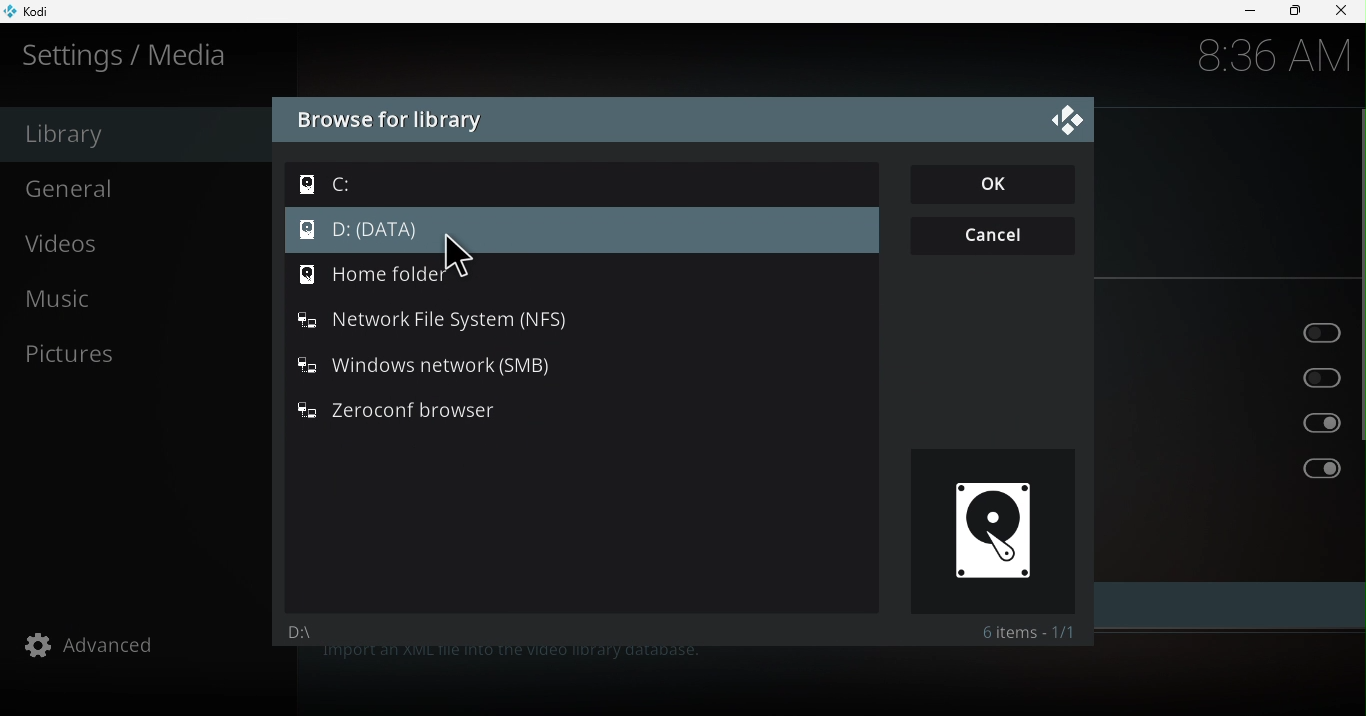 The image size is (1366, 716). I want to click on C:, so click(327, 186).